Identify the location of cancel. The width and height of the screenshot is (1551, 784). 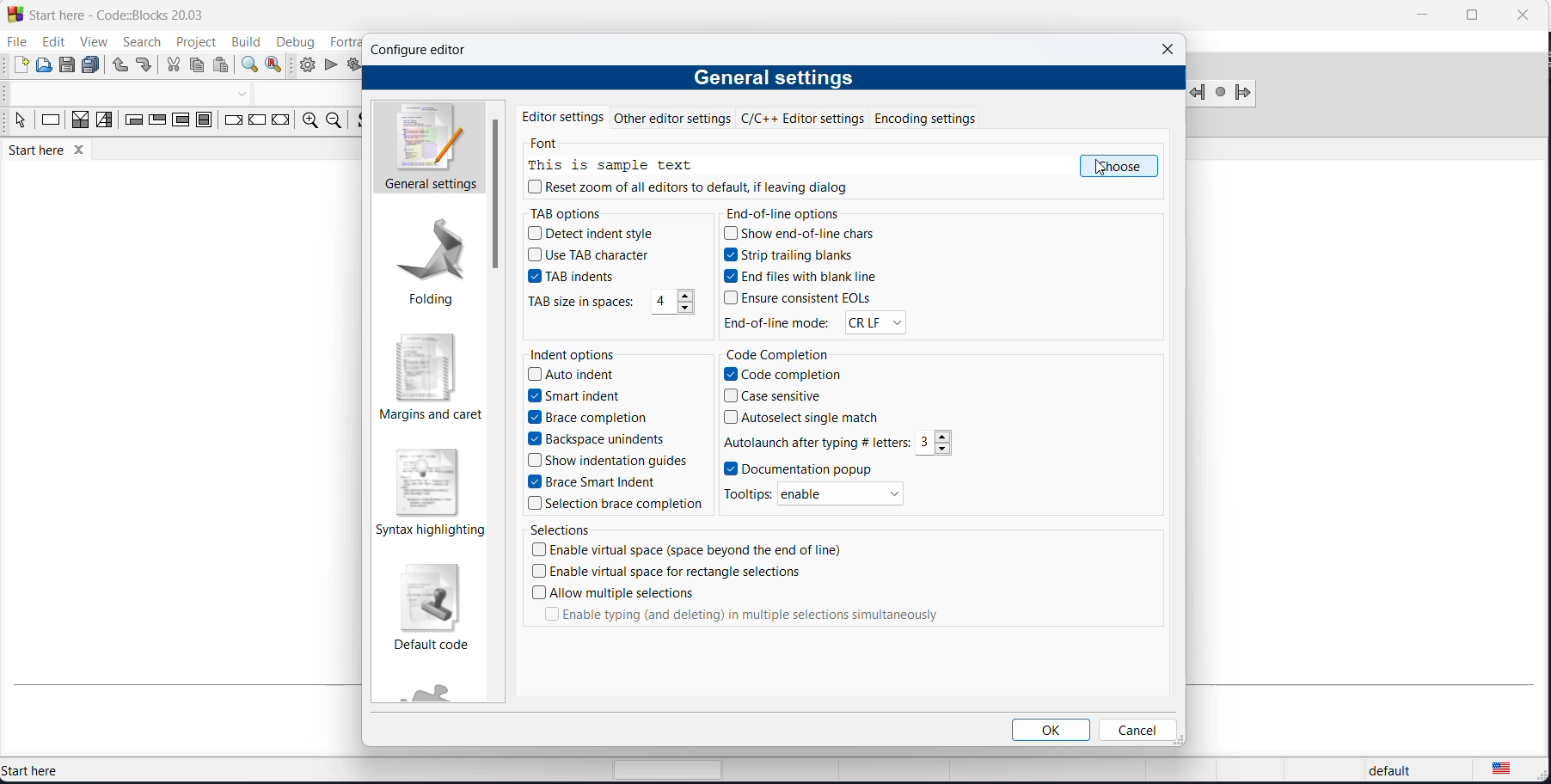
(1136, 730).